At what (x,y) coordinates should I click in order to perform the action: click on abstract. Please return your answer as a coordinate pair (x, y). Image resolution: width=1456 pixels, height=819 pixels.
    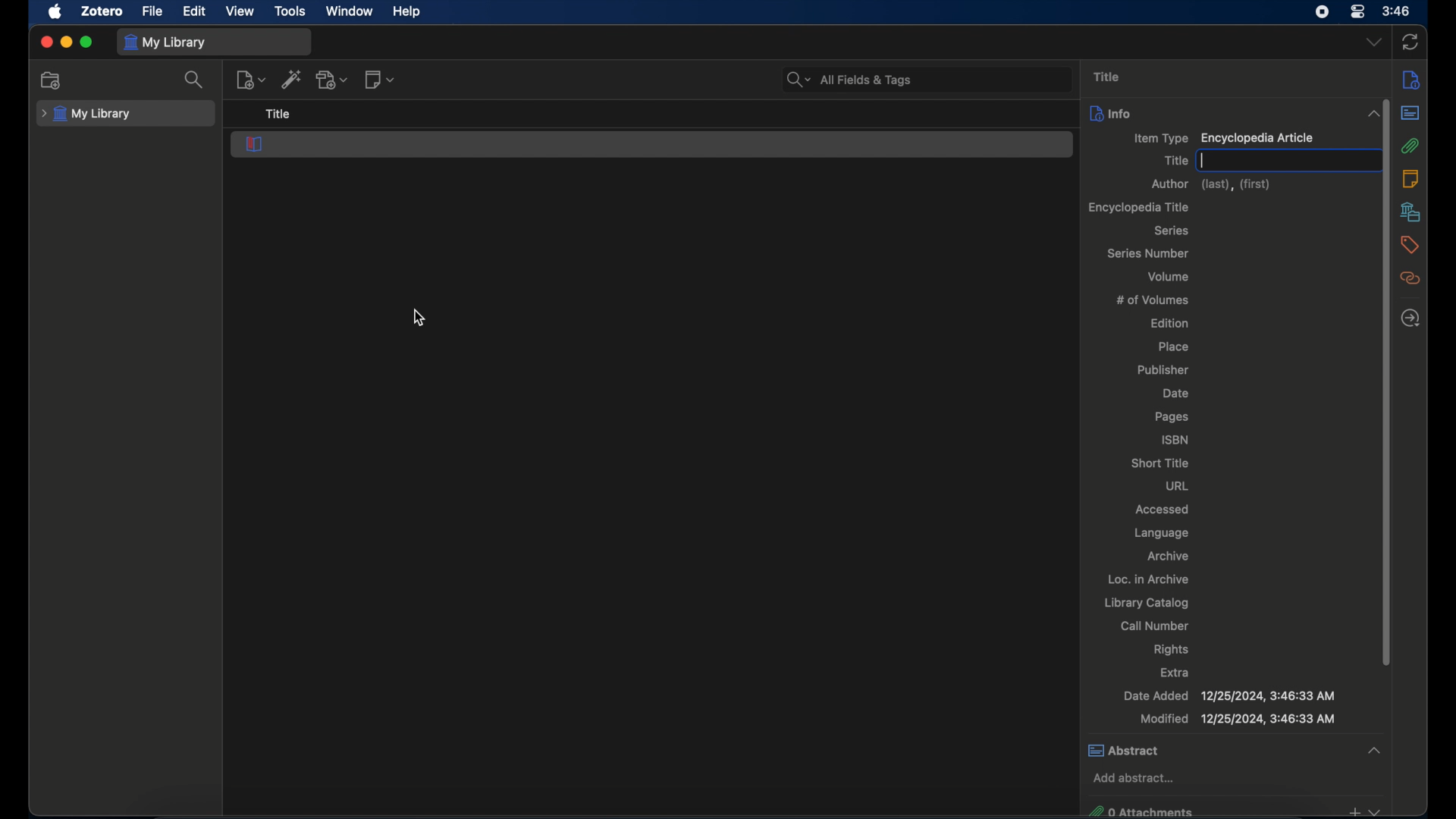
    Looking at the image, I should click on (1234, 749).